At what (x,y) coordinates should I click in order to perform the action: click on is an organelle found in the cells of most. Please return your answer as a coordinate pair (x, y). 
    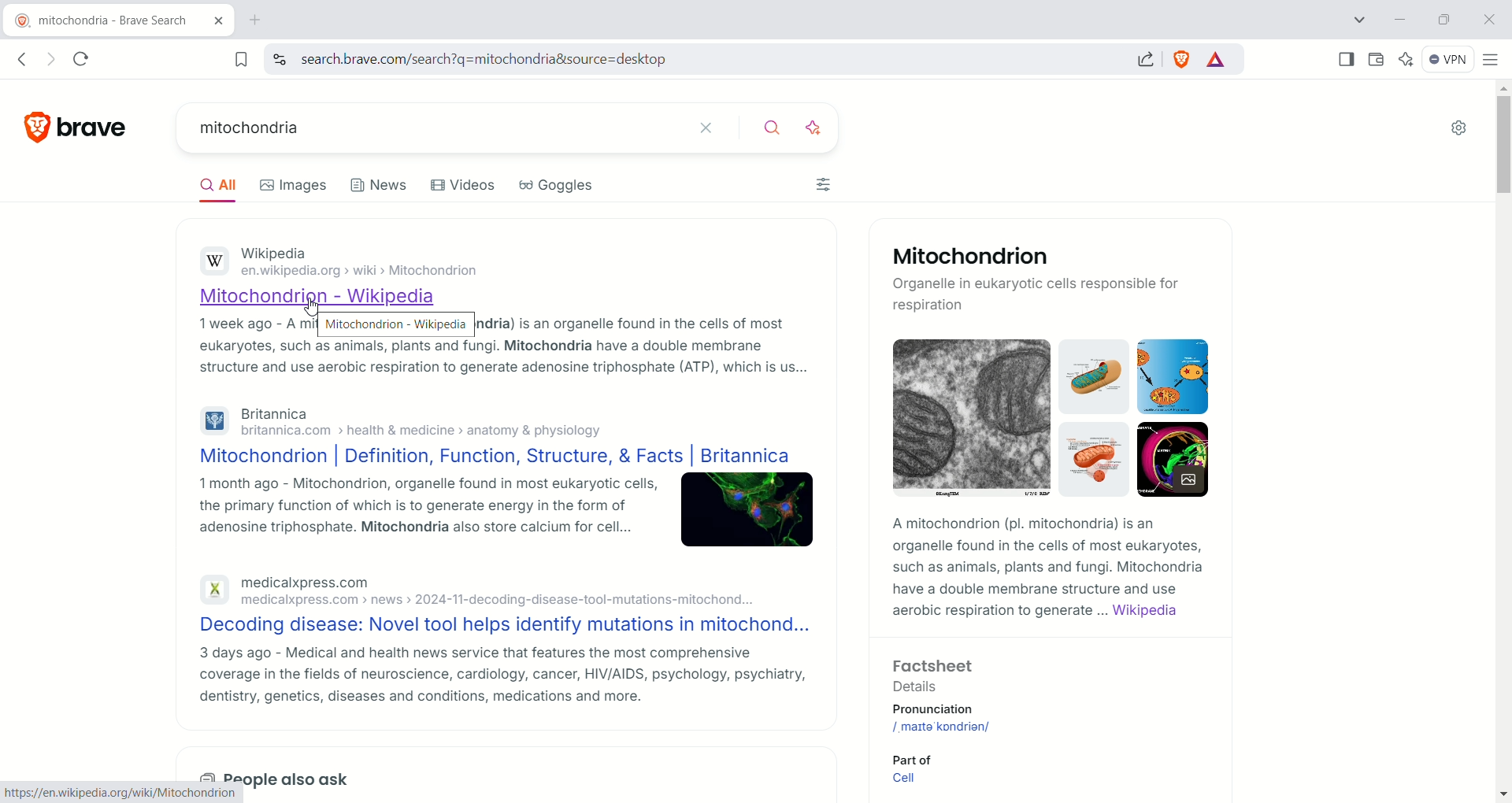
    Looking at the image, I should click on (663, 322).